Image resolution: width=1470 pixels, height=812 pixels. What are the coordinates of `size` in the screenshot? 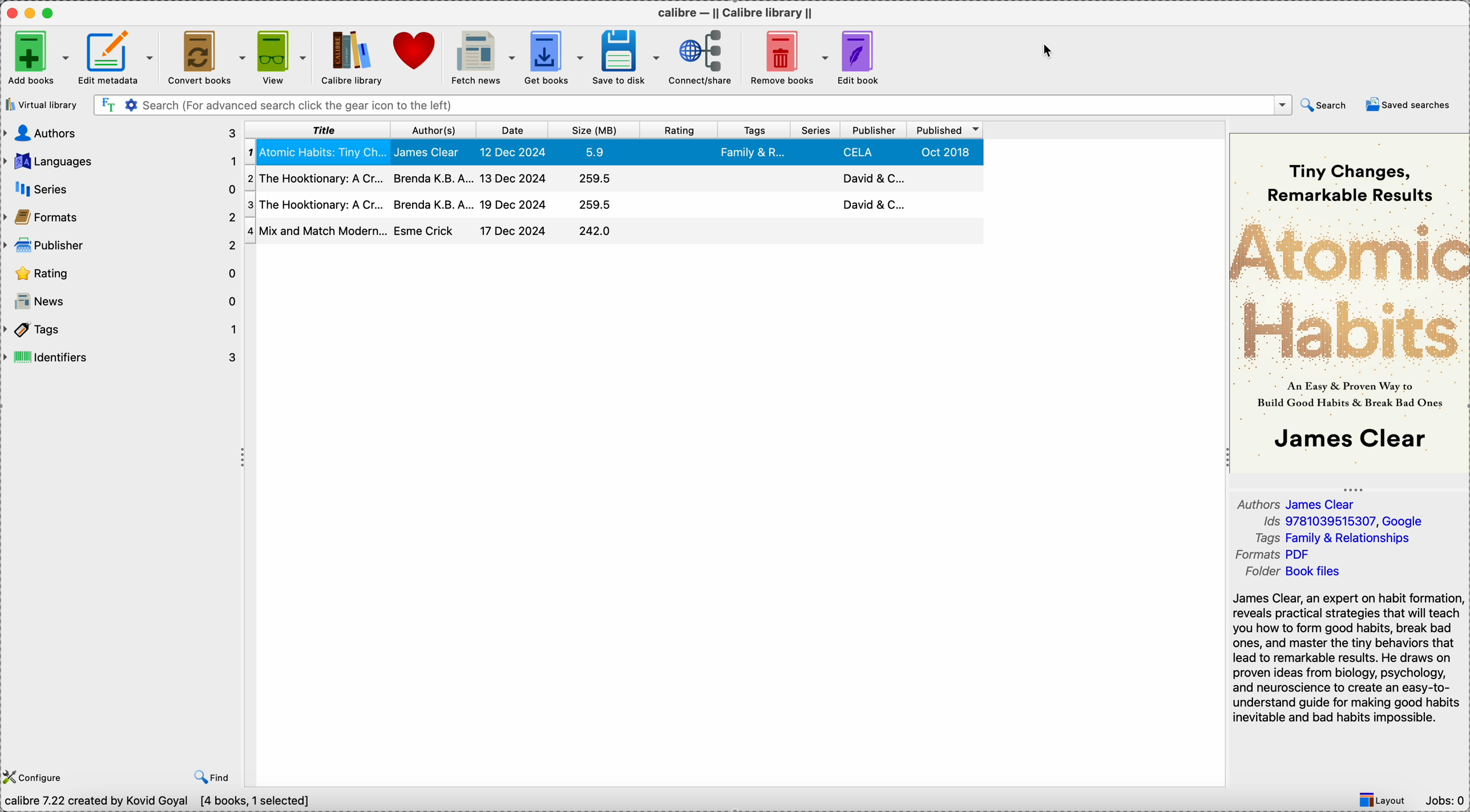 It's located at (597, 130).